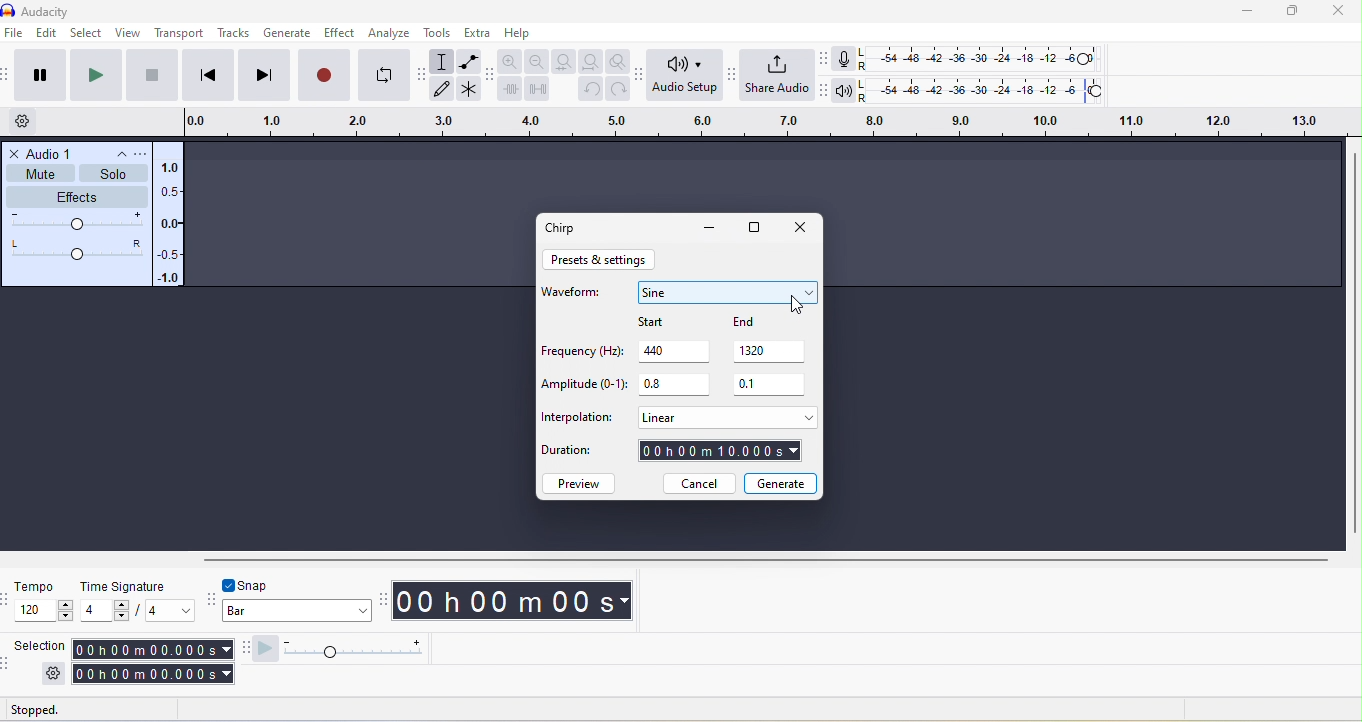 This screenshot has width=1362, height=722. I want to click on 00 h 00 m 10.000 s, so click(721, 452).